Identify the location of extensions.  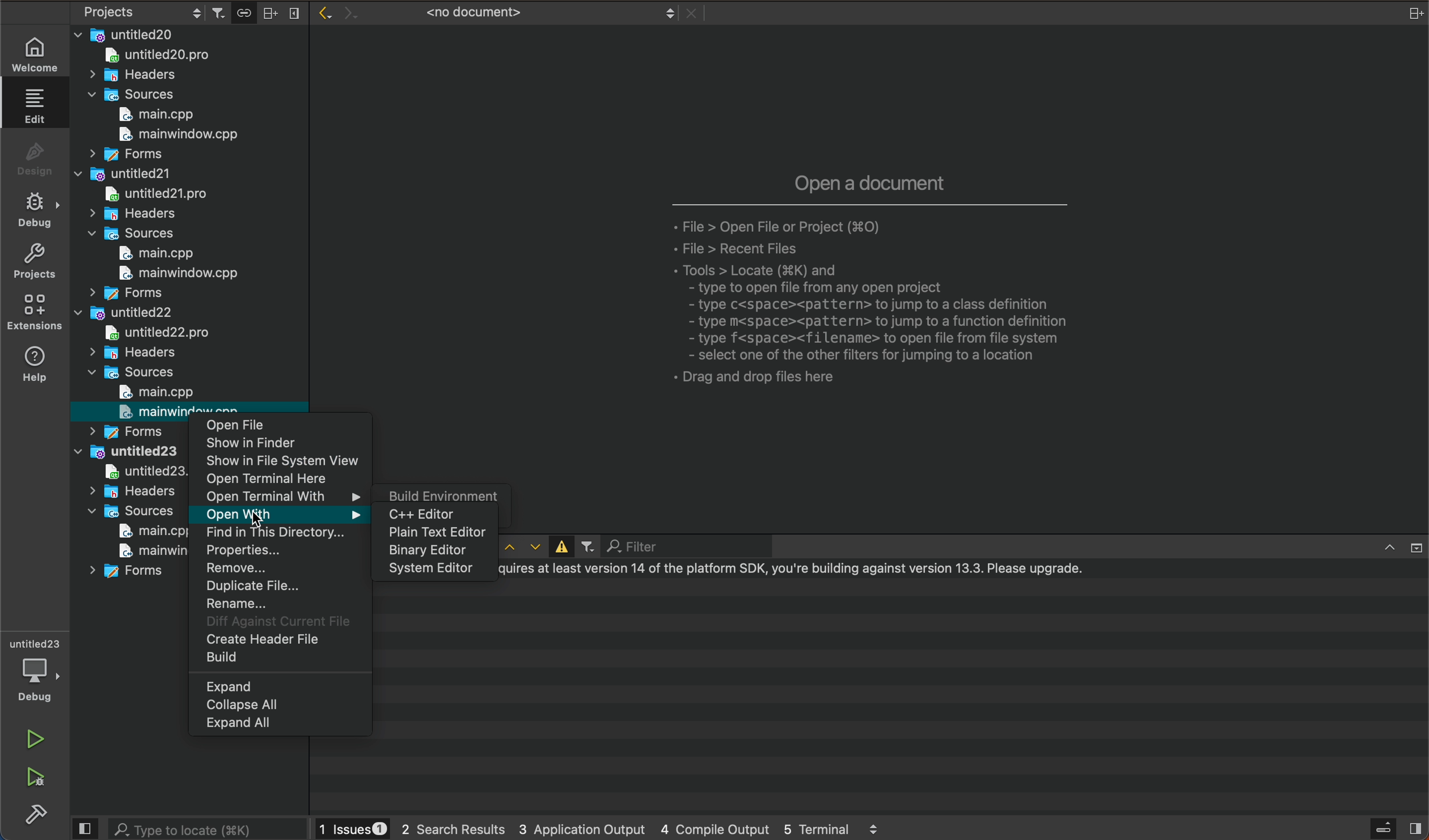
(35, 313).